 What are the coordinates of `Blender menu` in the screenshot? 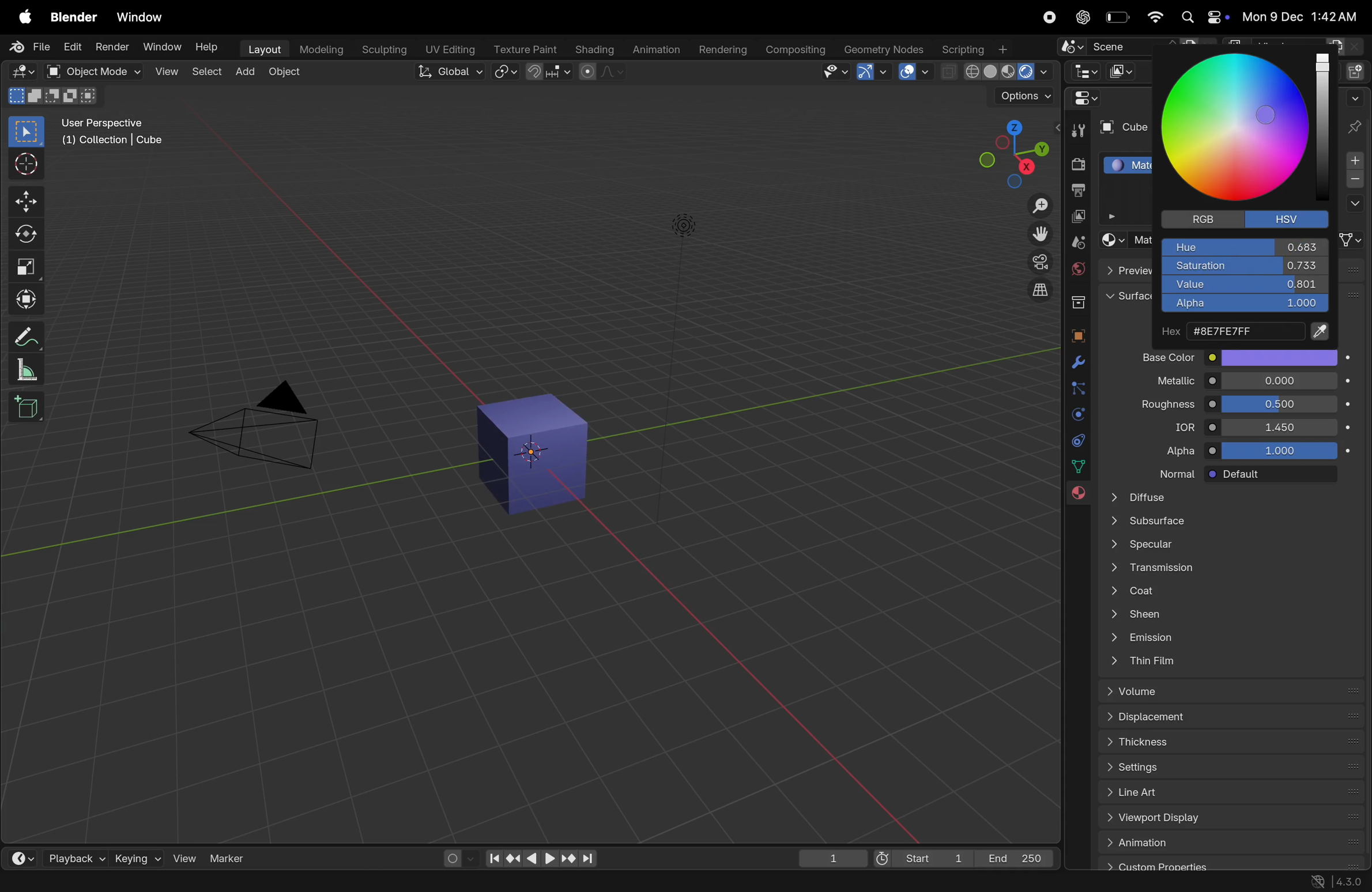 It's located at (73, 17).